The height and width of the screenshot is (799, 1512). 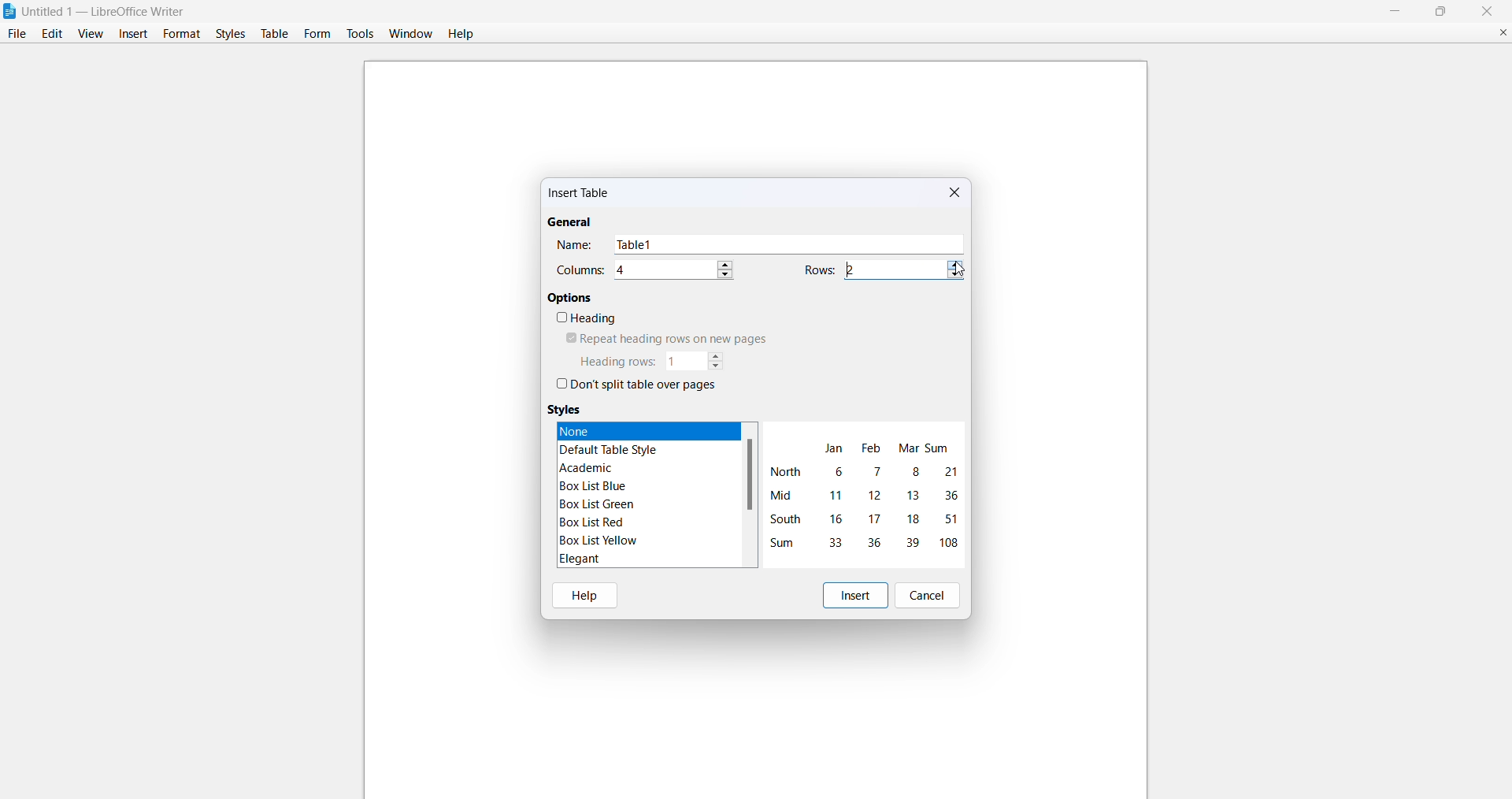 What do you see at coordinates (1496, 31) in the screenshot?
I see `close document` at bounding box center [1496, 31].